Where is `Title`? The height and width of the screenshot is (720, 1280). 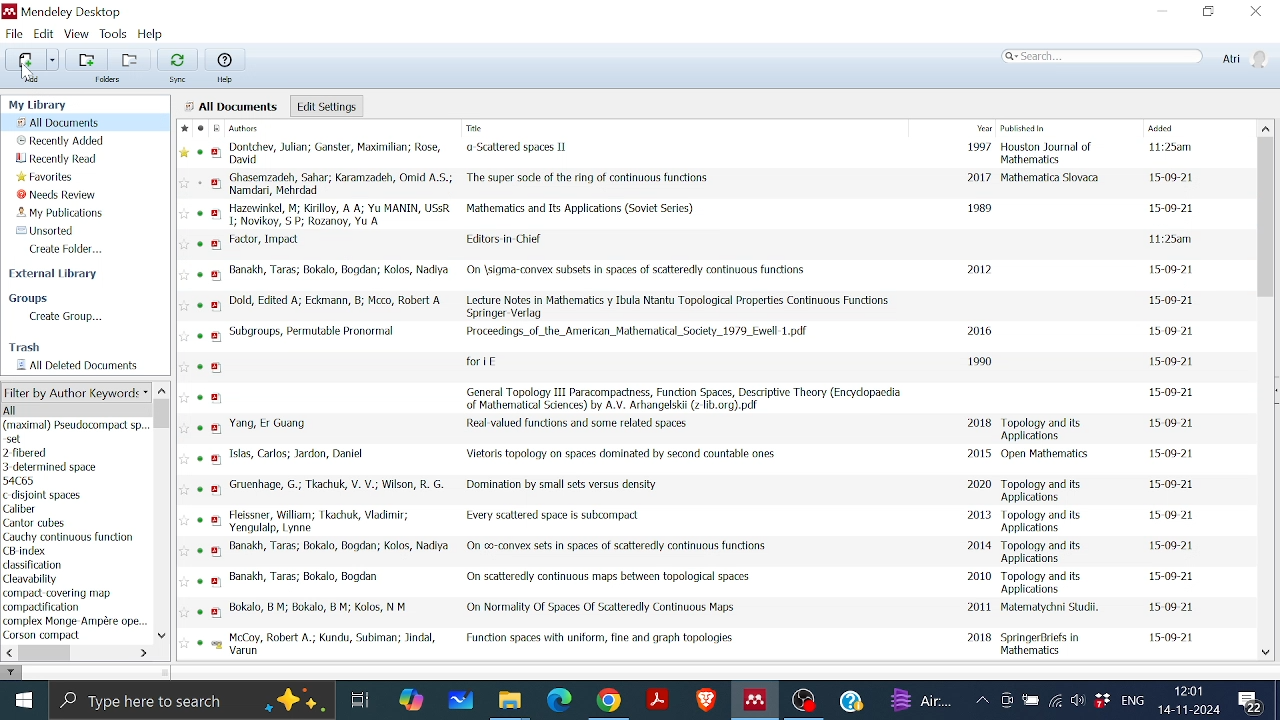
Title is located at coordinates (482, 129).